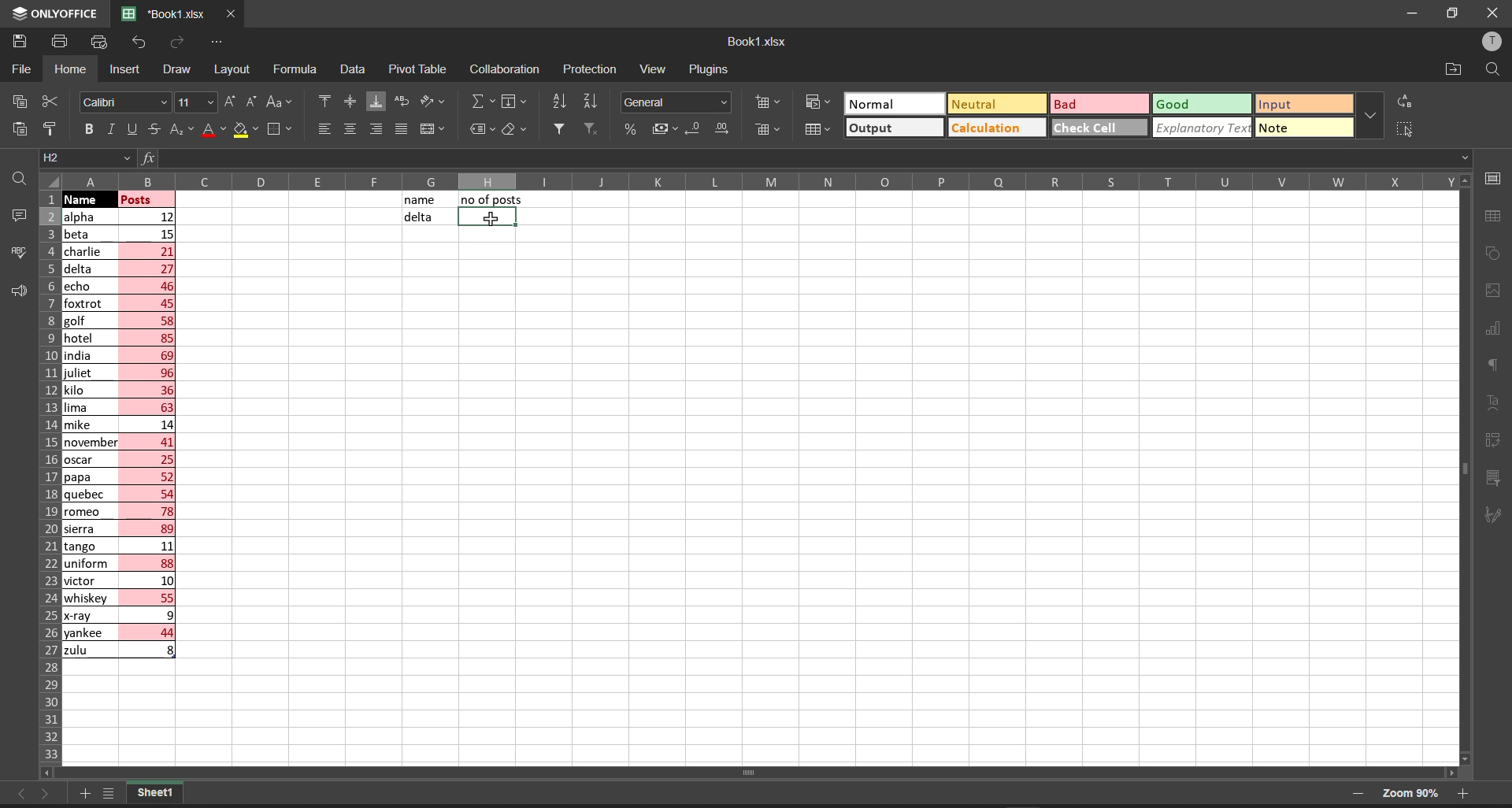  Describe the element at coordinates (1200, 128) in the screenshot. I see `explanatory Text` at that location.